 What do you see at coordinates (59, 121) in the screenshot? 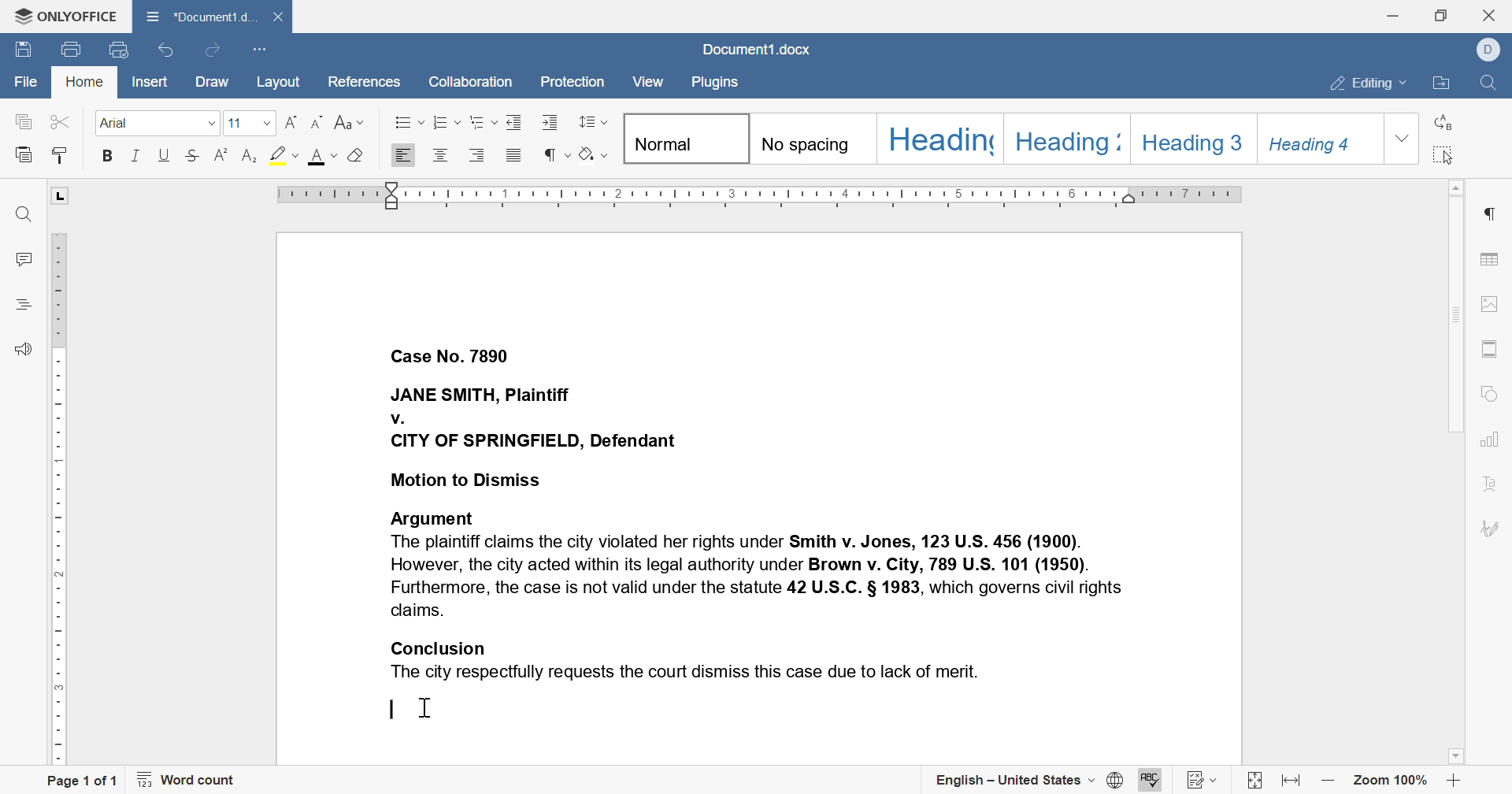
I see `cut` at bounding box center [59, 121].